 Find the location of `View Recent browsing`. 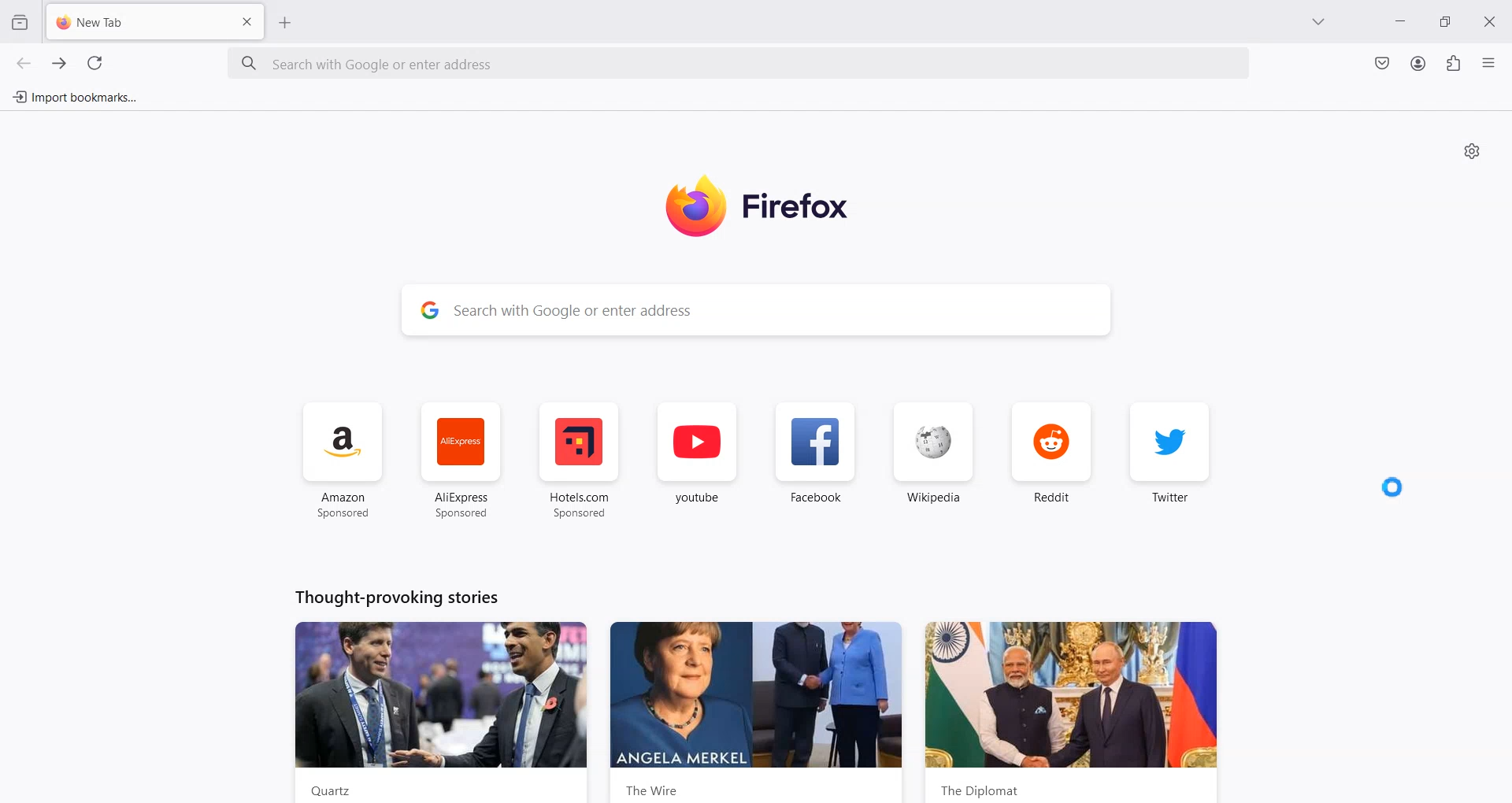

View Recent browsing is located at coordinates (20, 21).